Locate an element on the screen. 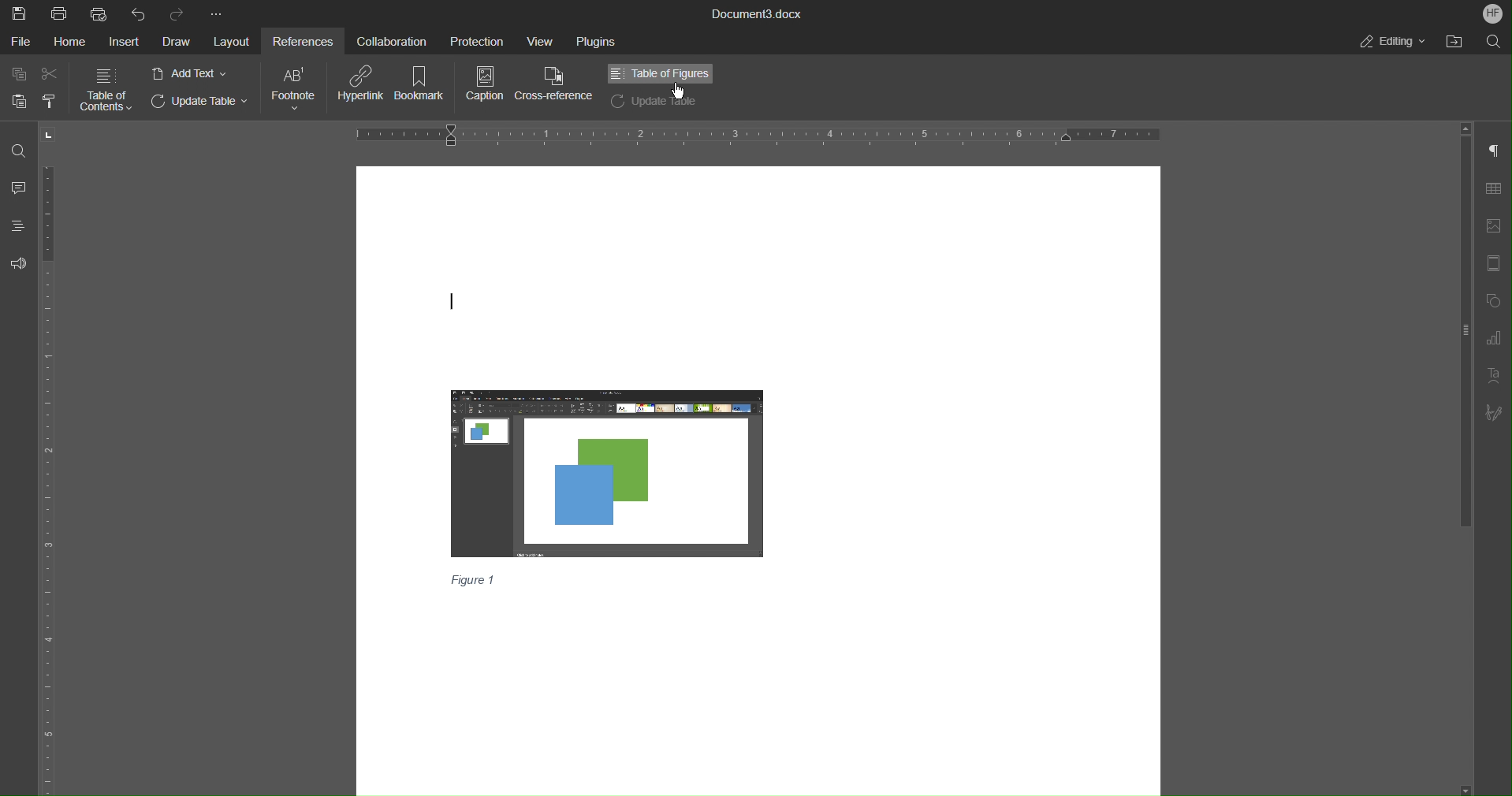 This screenshot has width=1512, height=796. Search is located at coordinates (1497, 42).